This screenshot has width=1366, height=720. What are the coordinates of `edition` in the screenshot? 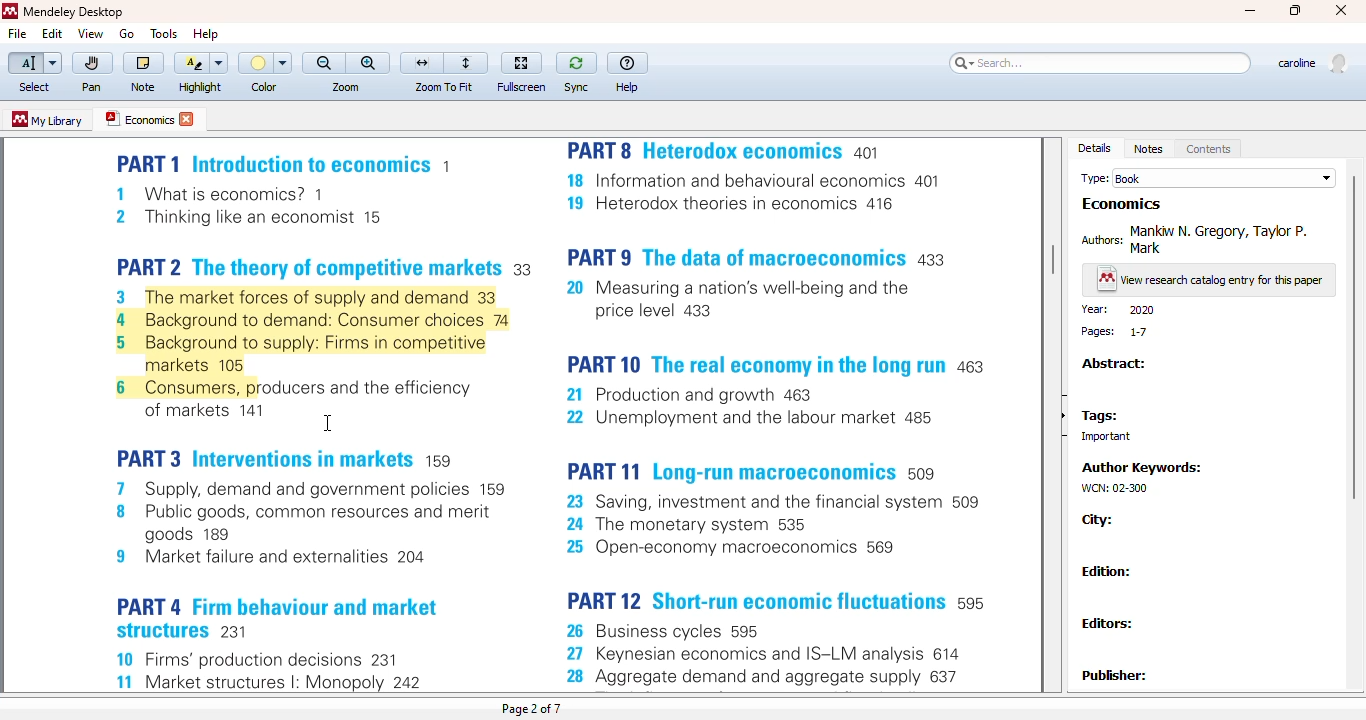 It's located at (1107, 571).